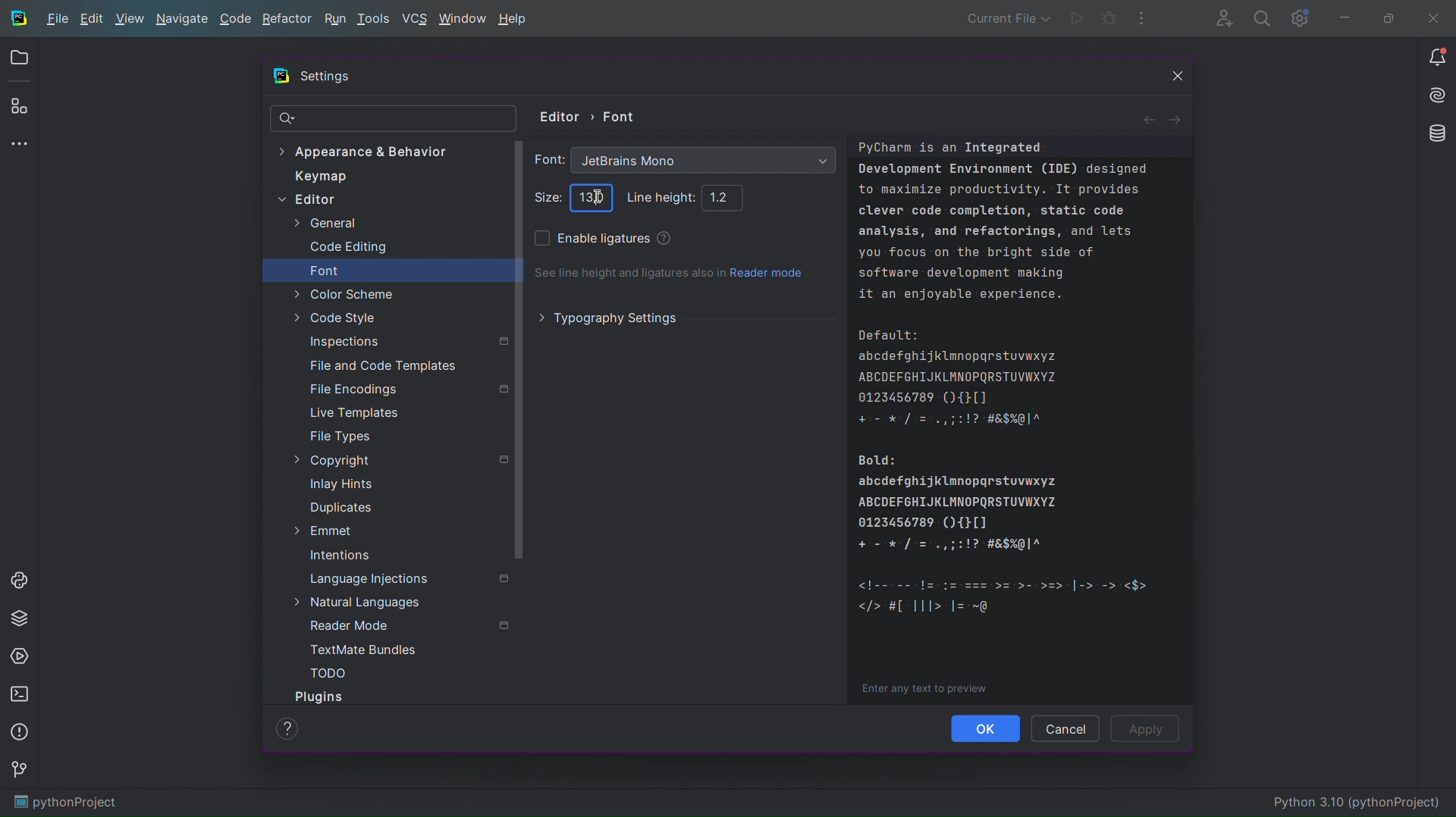  What do you see at coordinates (610, 318) in the screenshot?
I see `Typography Settings` at bounding box center [610, 318].